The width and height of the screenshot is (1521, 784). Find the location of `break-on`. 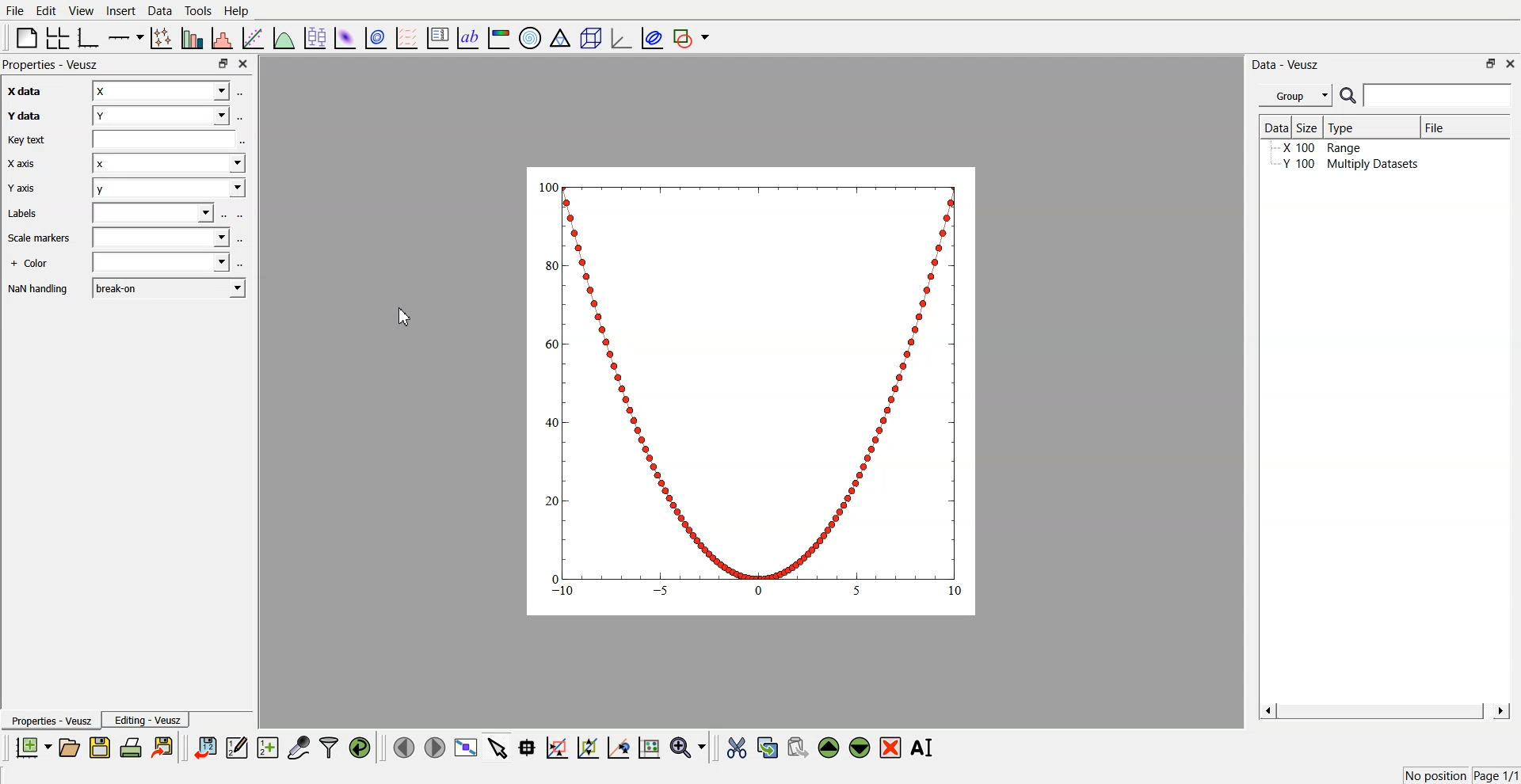

break-on is located at coordinates (170, 287).